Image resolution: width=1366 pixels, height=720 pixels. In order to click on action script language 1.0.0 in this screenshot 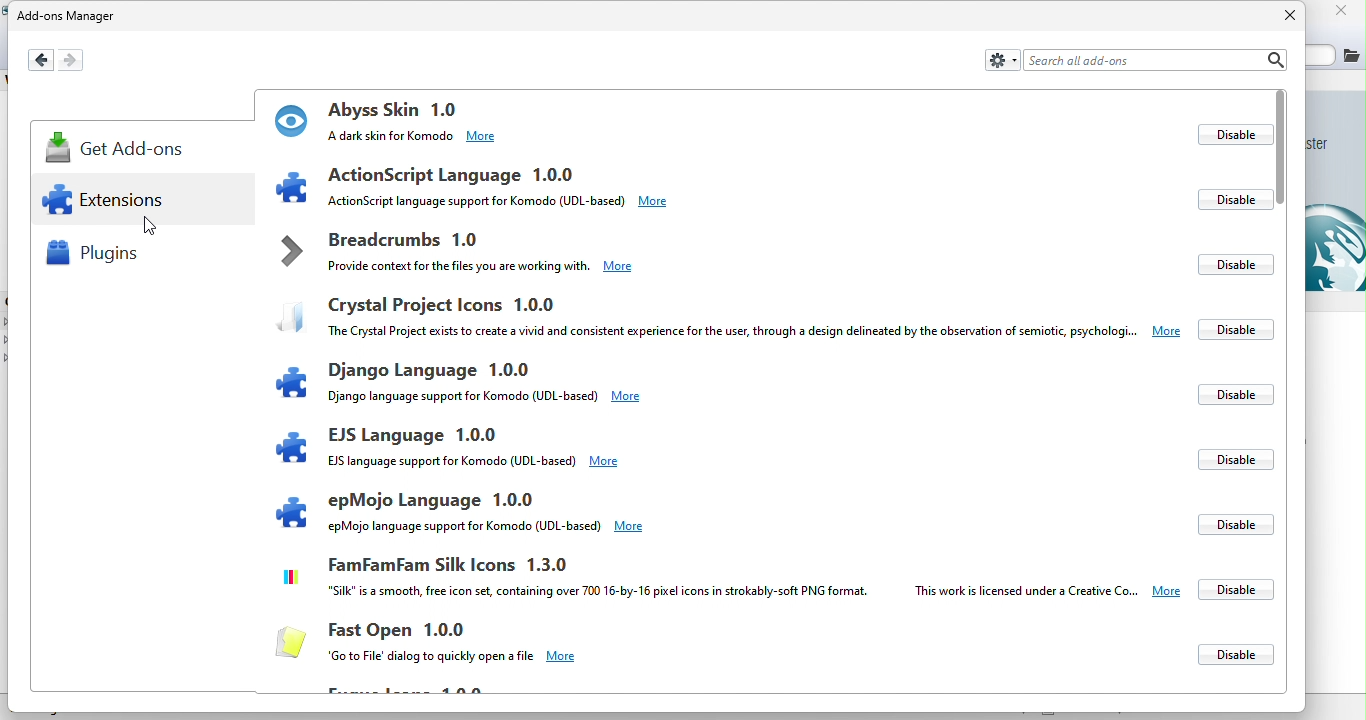, I will do `click(550, 186)`.